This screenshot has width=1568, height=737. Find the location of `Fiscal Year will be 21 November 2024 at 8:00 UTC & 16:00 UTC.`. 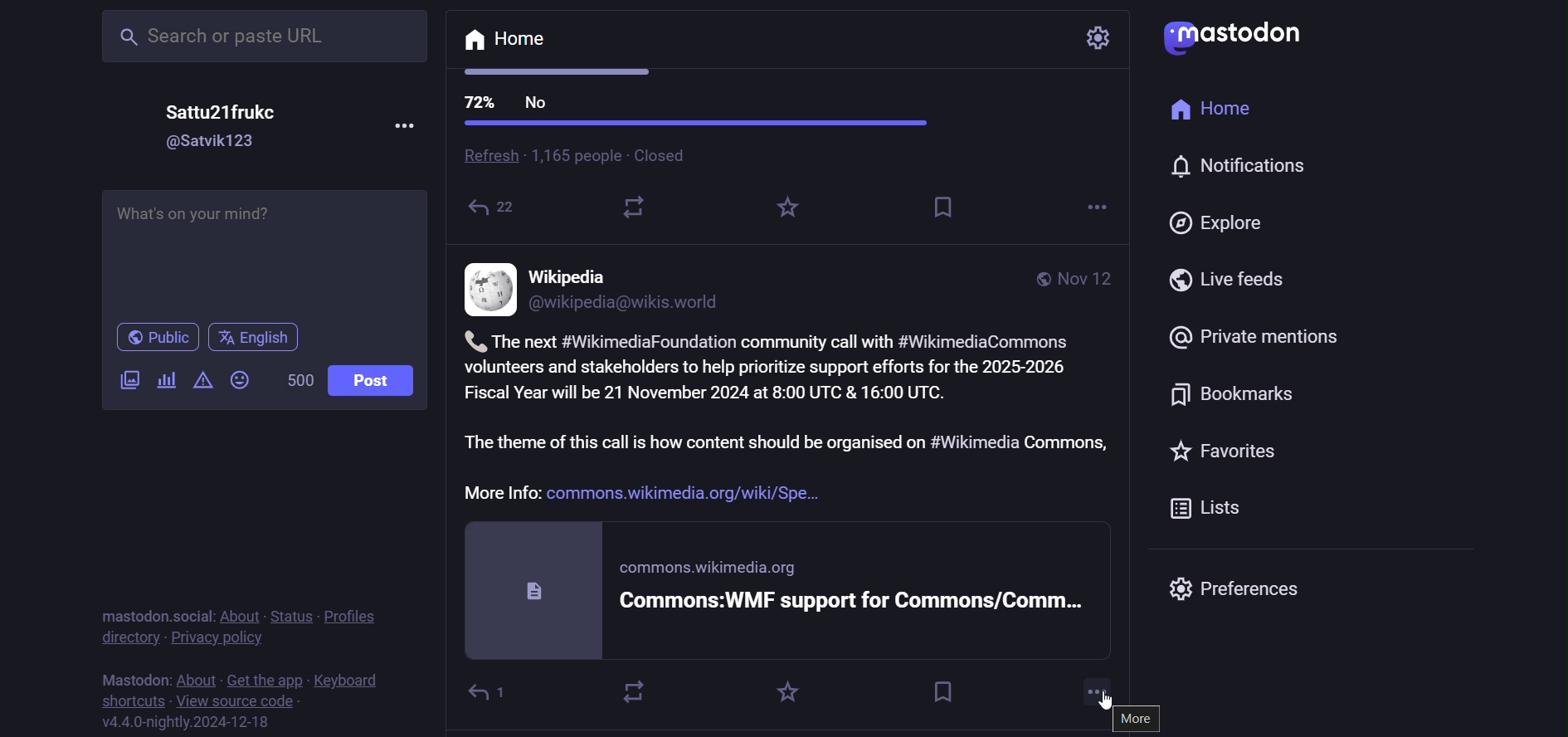

Fiscal Year will be 21 November 2024 at 8:00 UTC & 16:00 UTC. is located at coordinates (719, 393).